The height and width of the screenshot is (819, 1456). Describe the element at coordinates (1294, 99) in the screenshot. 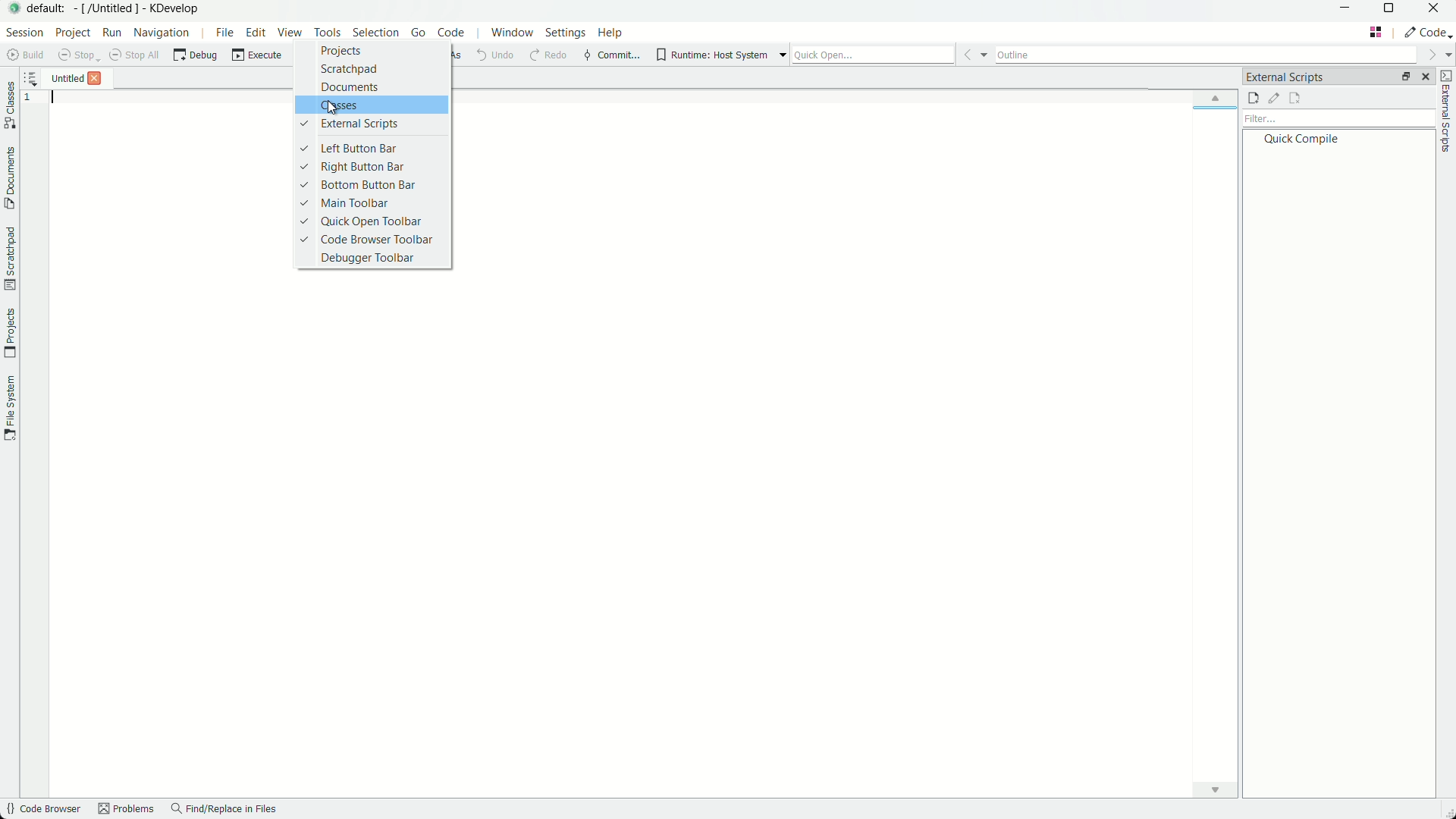

I see `remove external scripts` at that location.